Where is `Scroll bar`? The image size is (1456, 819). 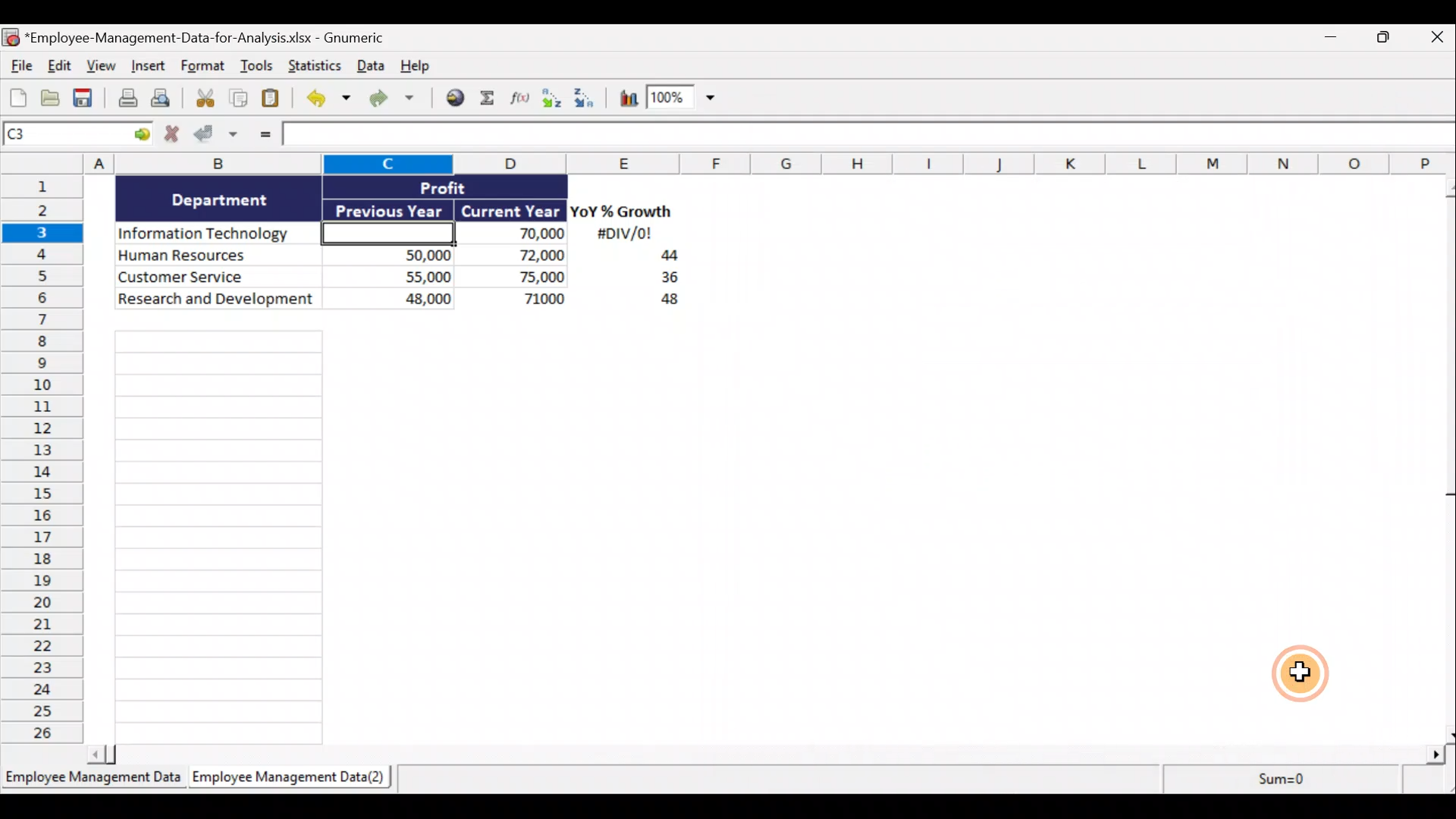 Scroll bar is located at coordinates (1443, 457).